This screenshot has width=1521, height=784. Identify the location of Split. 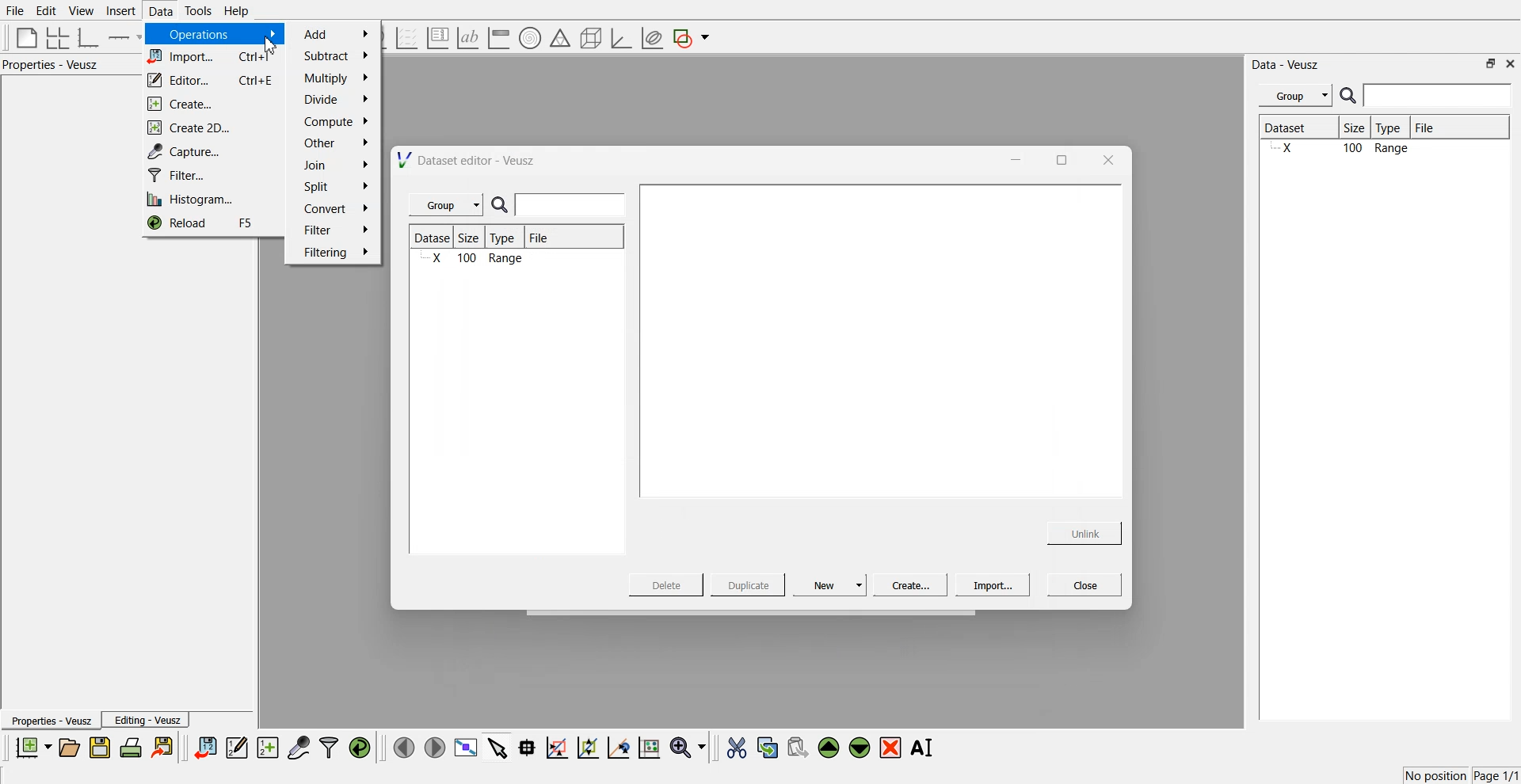
(331, 188).